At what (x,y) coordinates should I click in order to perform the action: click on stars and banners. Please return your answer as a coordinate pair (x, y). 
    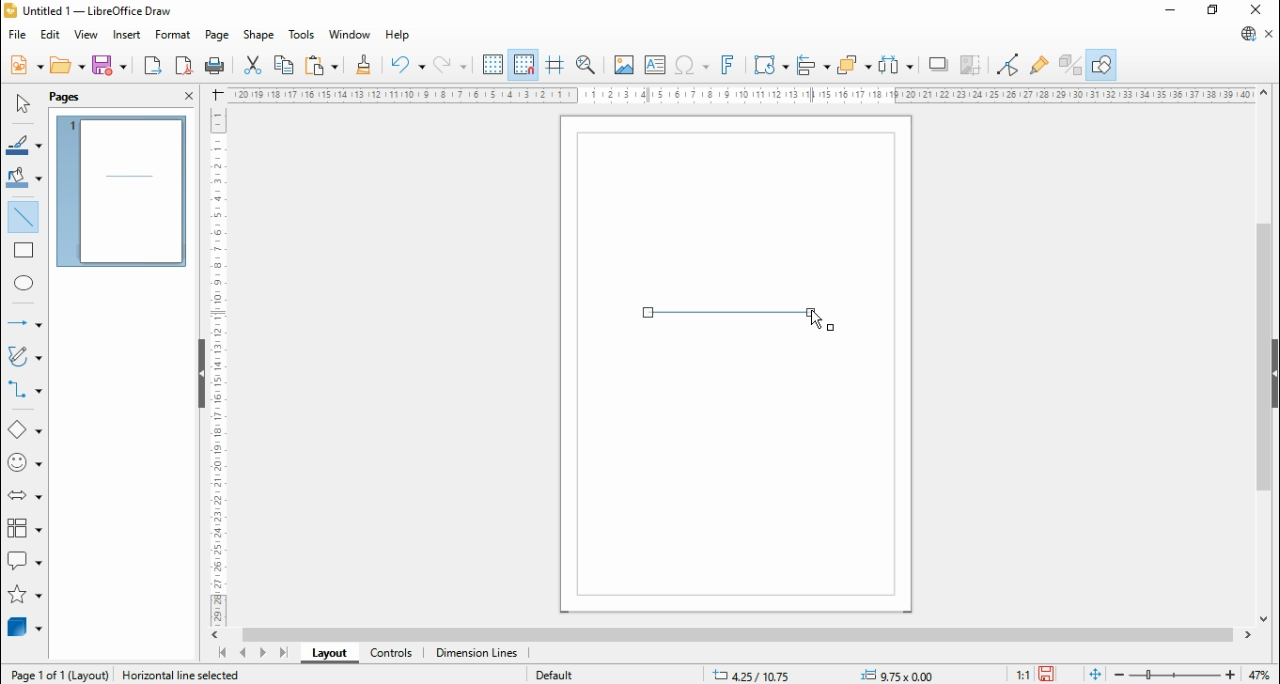
    Looking at the image, I should click on (22, 593).